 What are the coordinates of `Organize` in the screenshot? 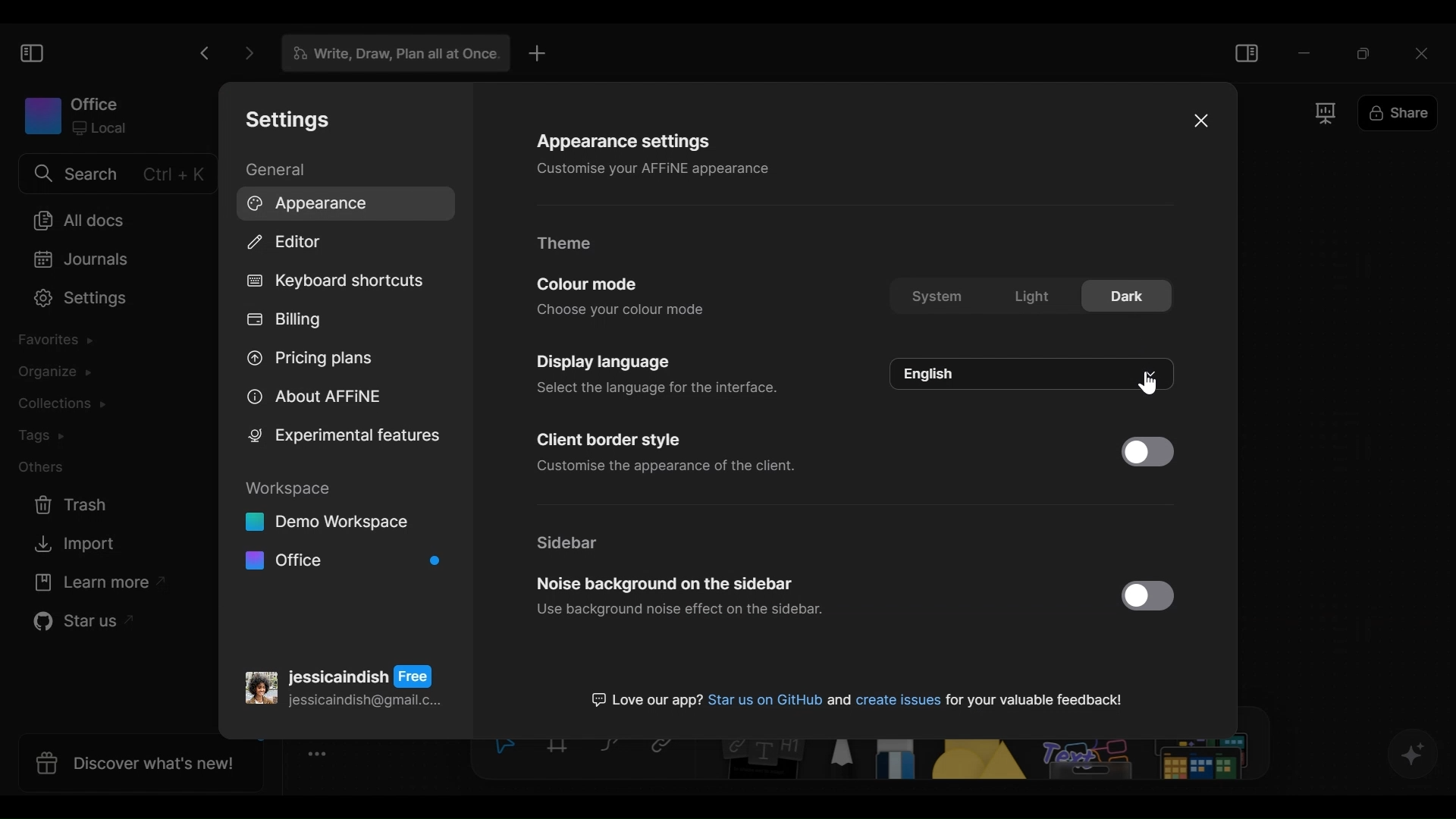 It's located at (53, 373).